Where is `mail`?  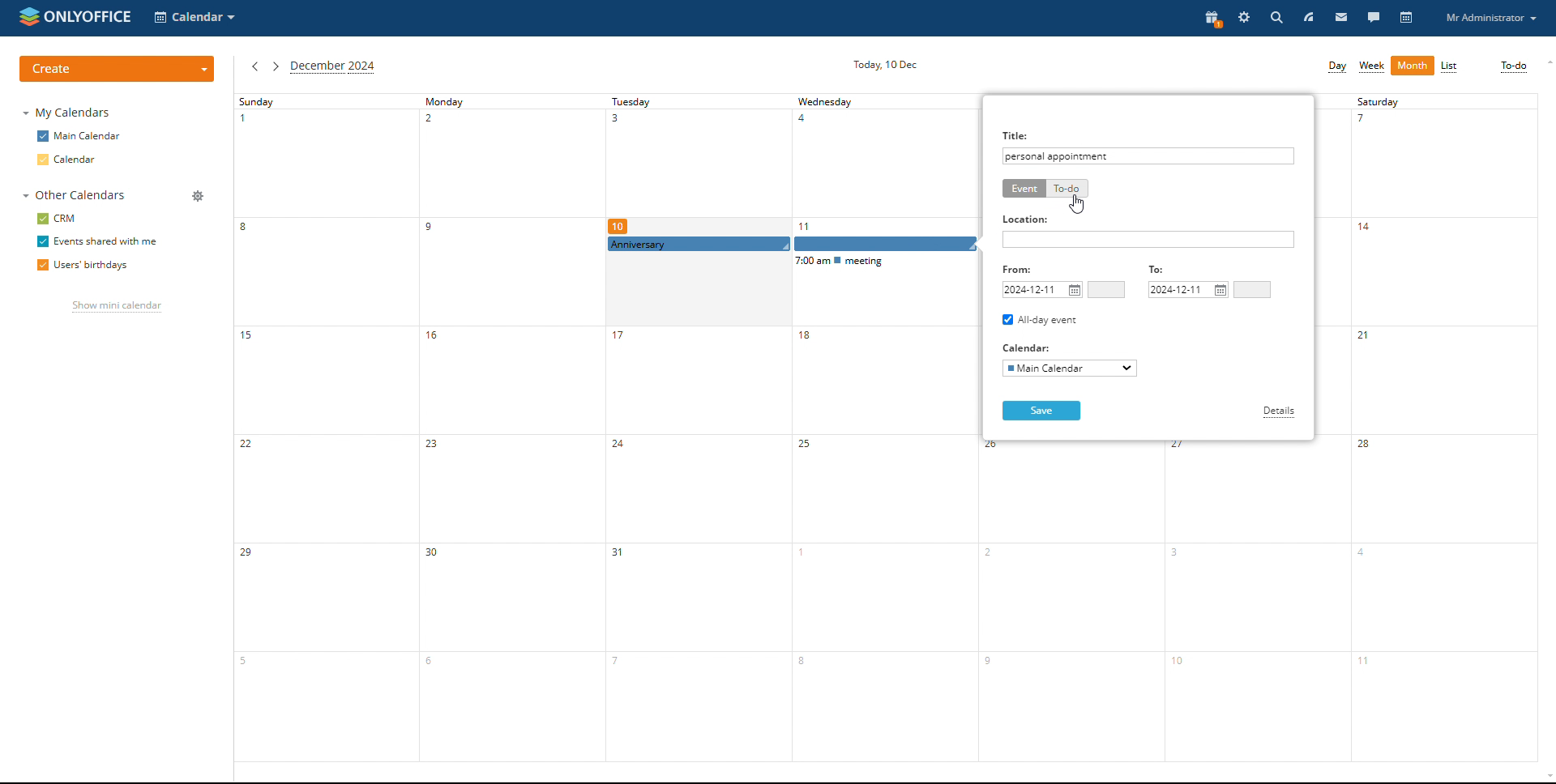 mail is located at coordinates (1341, 19).